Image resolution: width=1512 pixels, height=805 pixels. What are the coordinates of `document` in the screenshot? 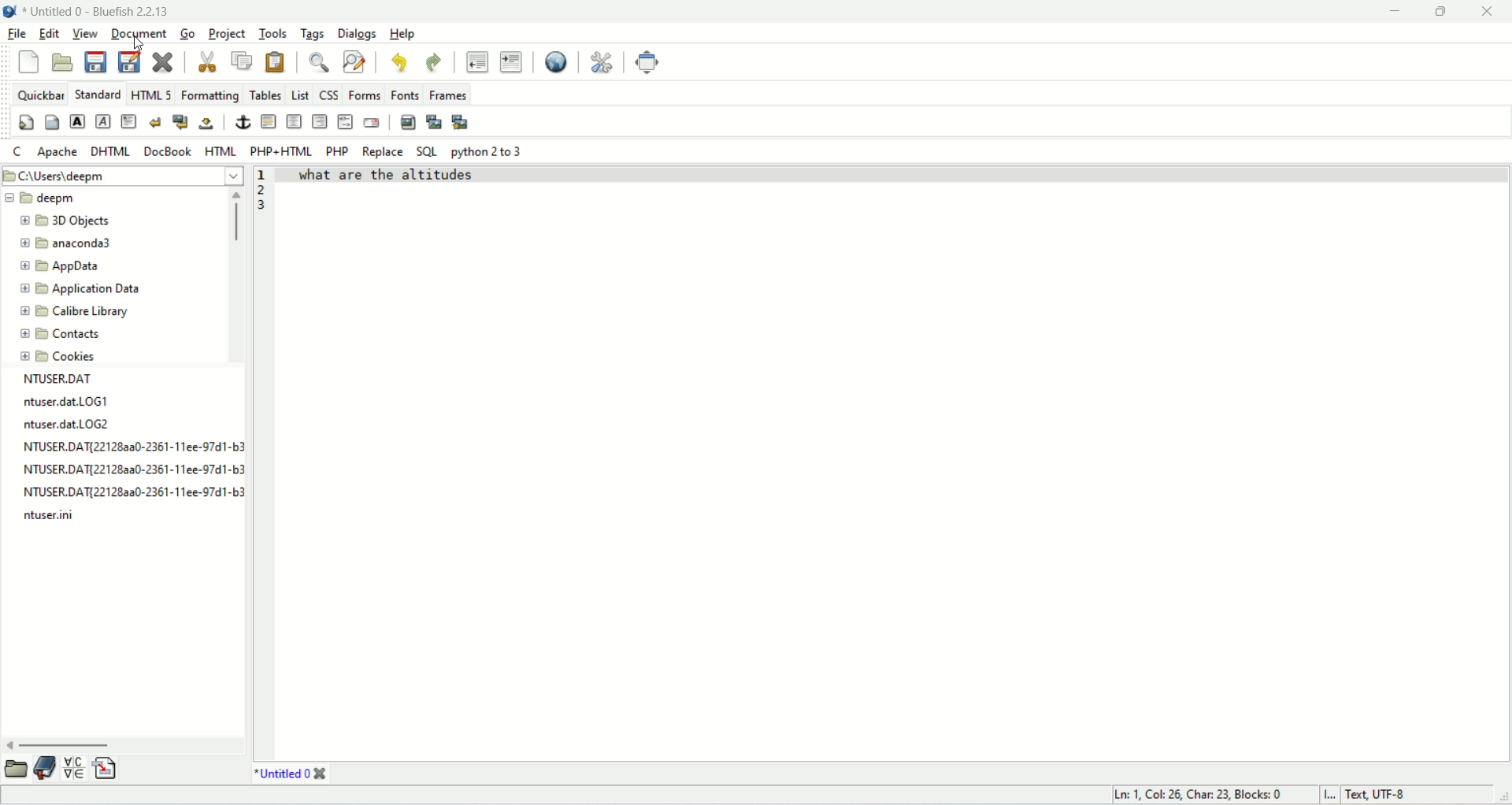 It's located at (137, 33).